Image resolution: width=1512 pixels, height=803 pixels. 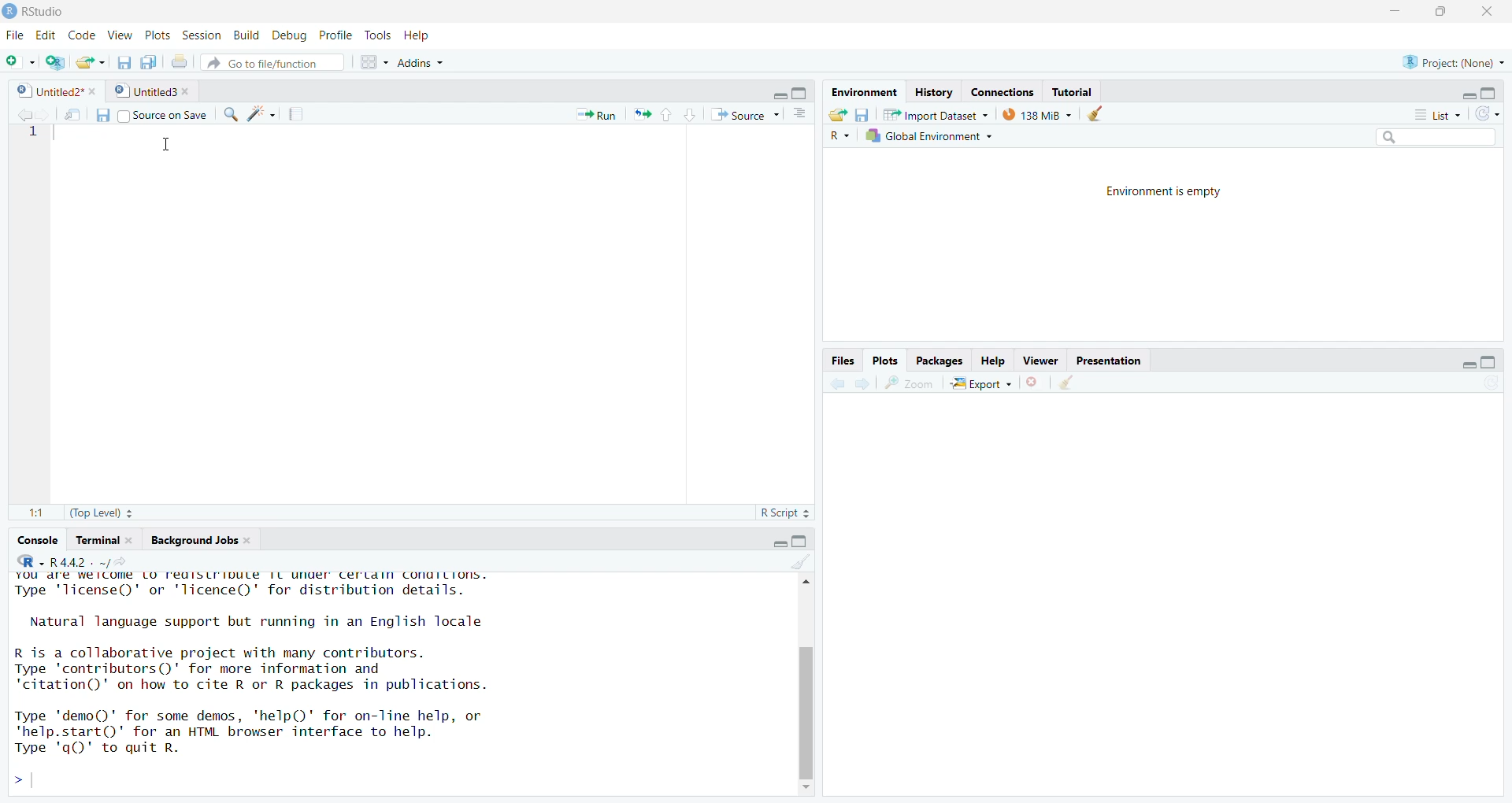 I want to click on New file, so click(x=17, y=57).